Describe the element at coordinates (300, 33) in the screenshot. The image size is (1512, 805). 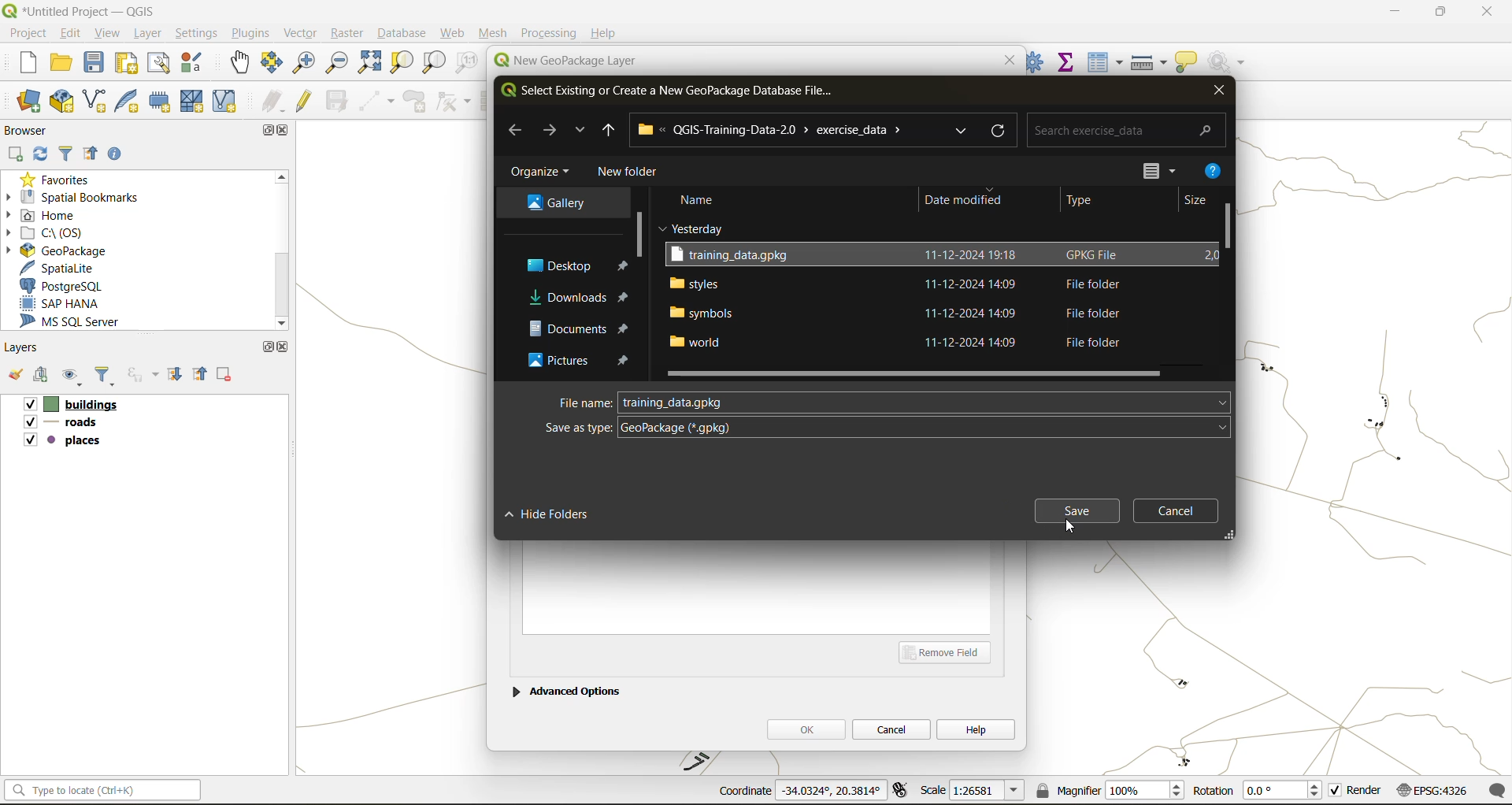
I see `vector` at that location.